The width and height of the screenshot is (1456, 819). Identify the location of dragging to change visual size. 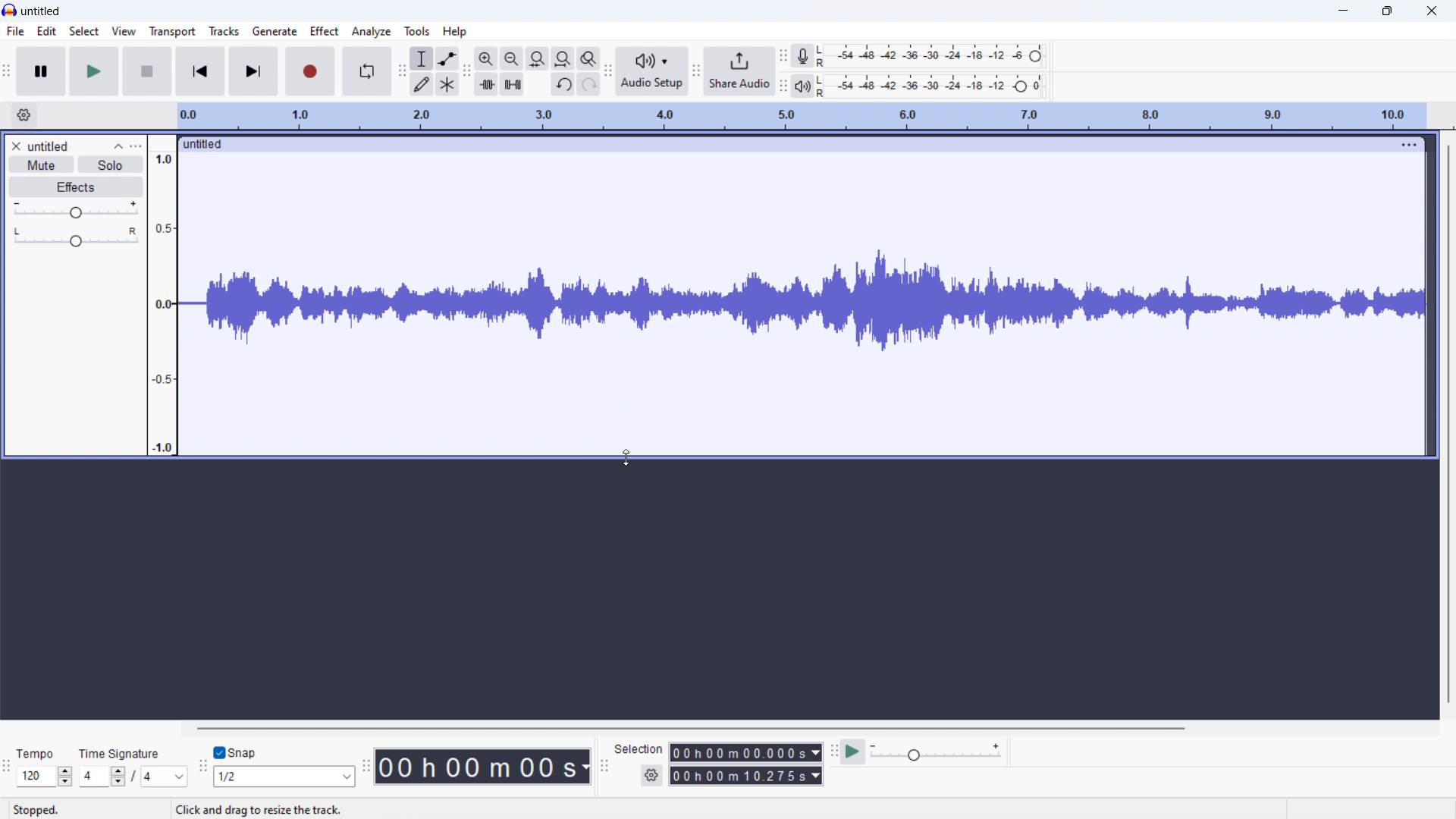
(803, 302).